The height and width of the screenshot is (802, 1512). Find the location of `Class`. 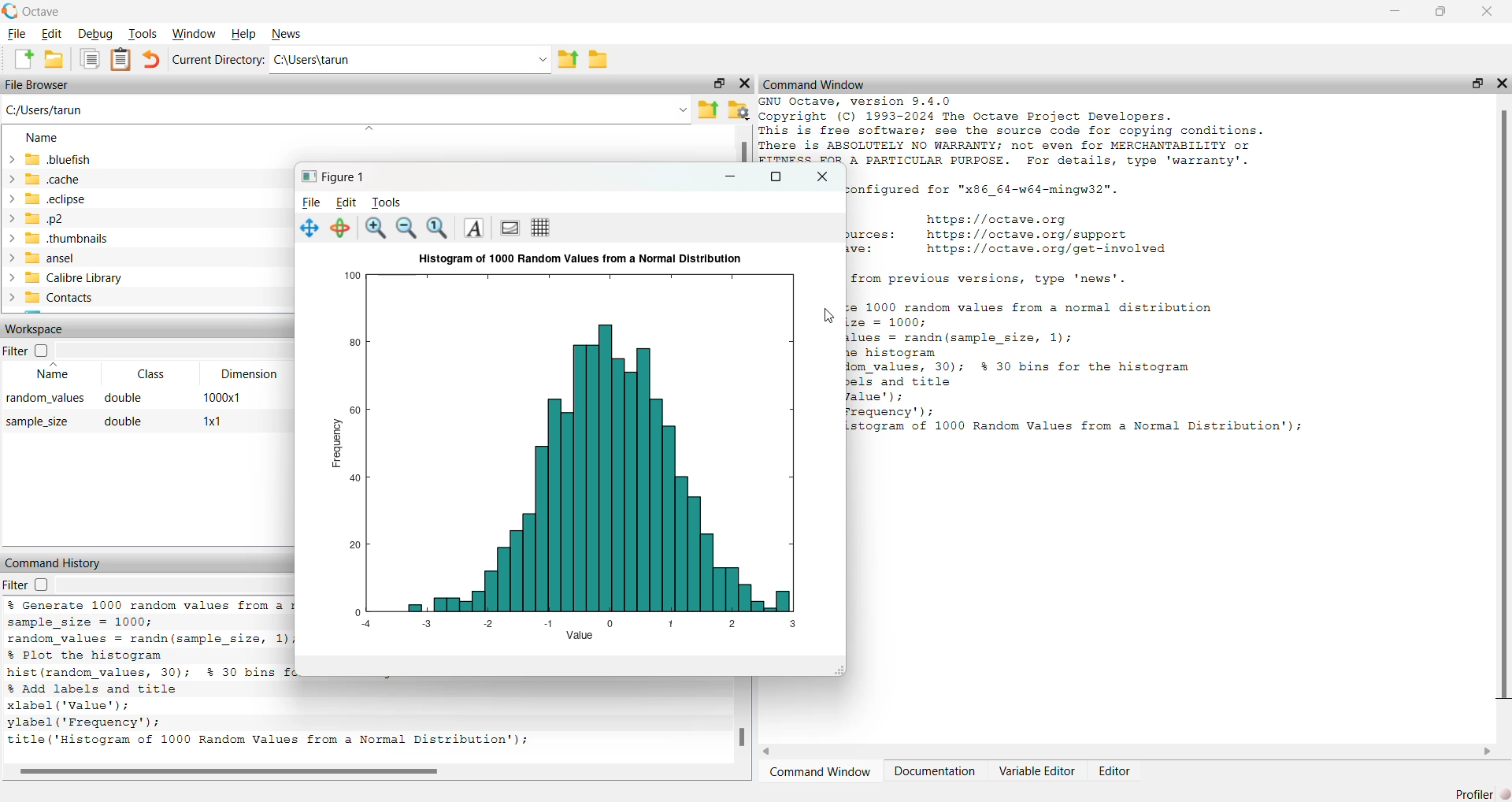

Class is located at coordinates (155, 374).